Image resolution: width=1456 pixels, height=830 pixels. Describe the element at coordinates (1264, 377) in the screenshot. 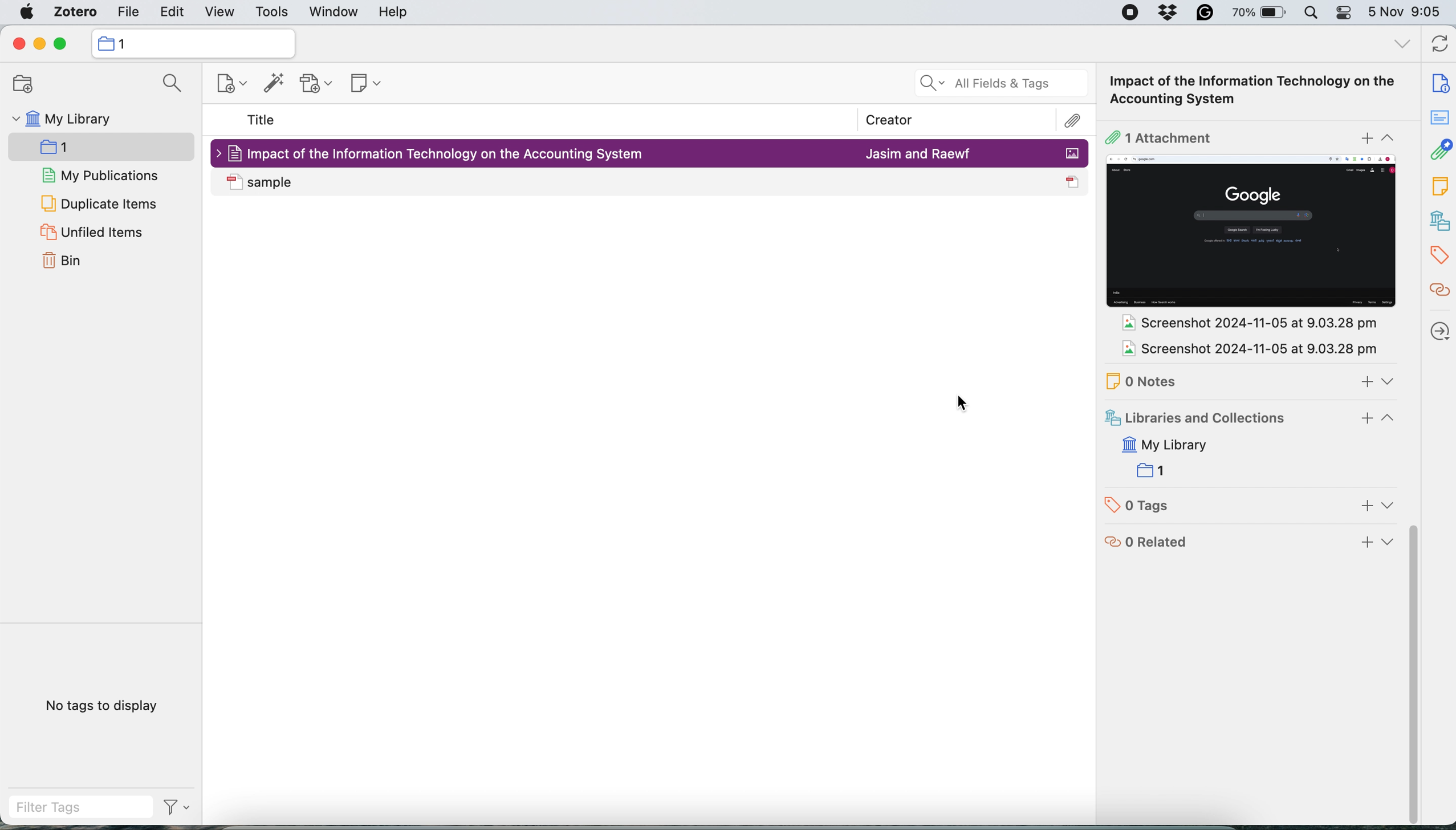

I see `notes` at that location.